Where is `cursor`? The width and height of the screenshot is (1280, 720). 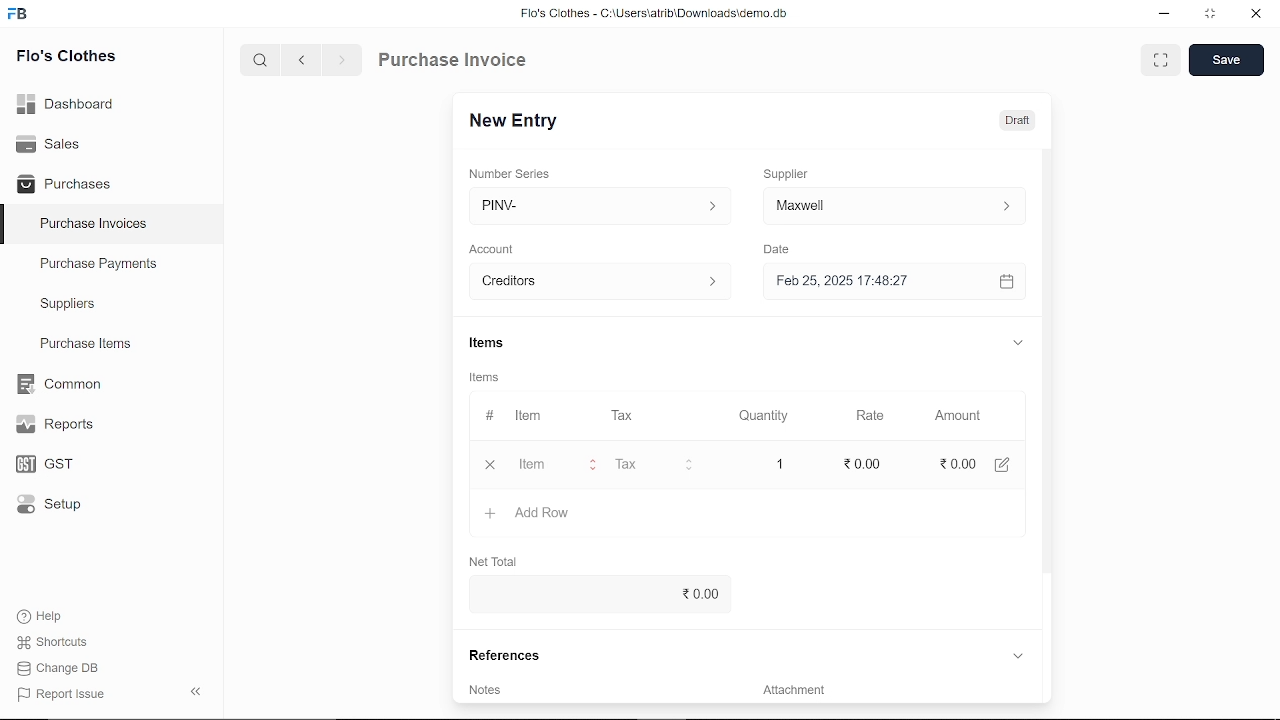
cursor is located at coordinates (543, 464).